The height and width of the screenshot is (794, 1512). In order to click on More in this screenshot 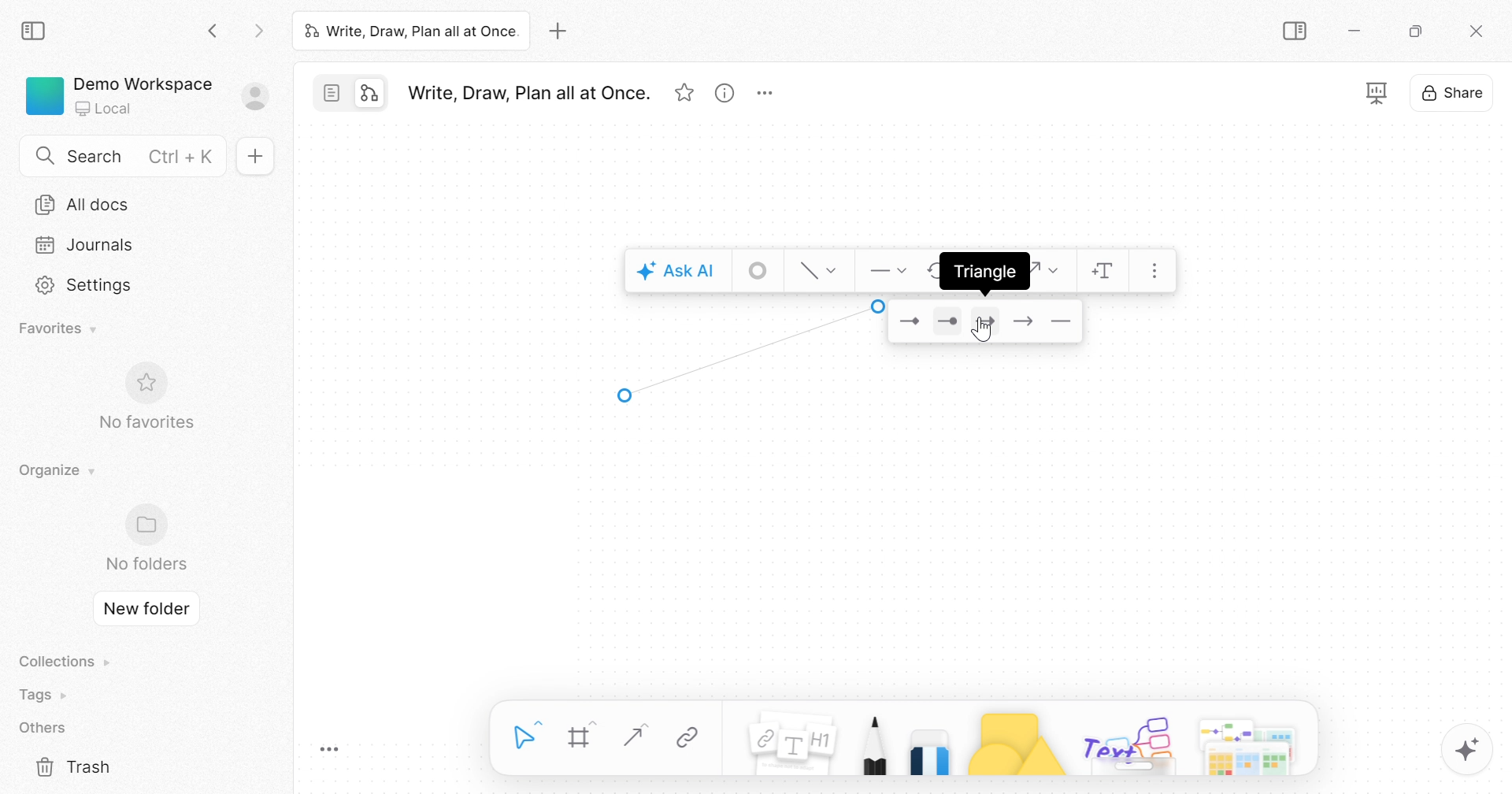, I will do `click(1160, 272)`.